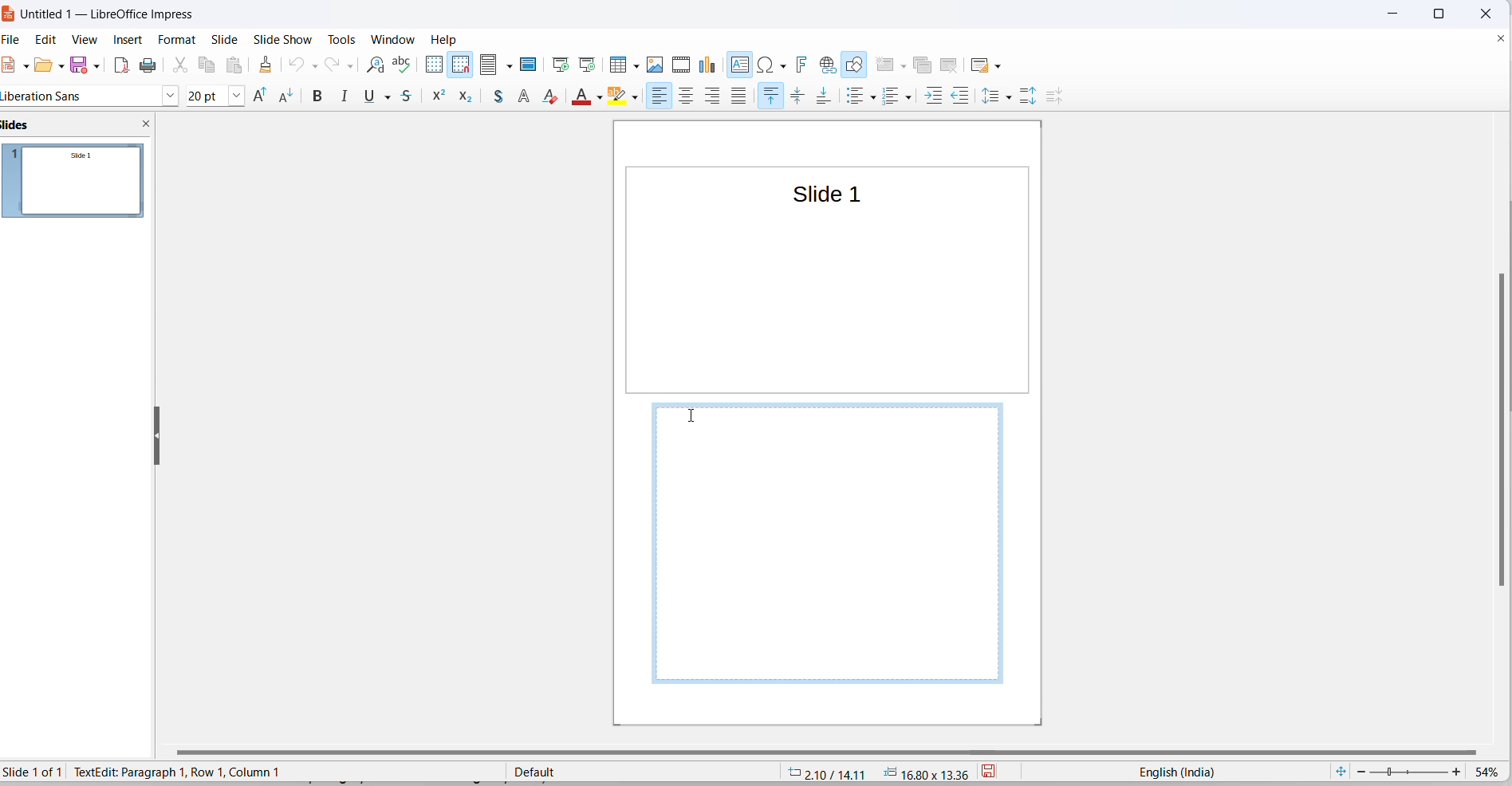 Image resolution: width=1512 pixels, height=786 pixels. I want to click on block arrows options, so click(428, 96).